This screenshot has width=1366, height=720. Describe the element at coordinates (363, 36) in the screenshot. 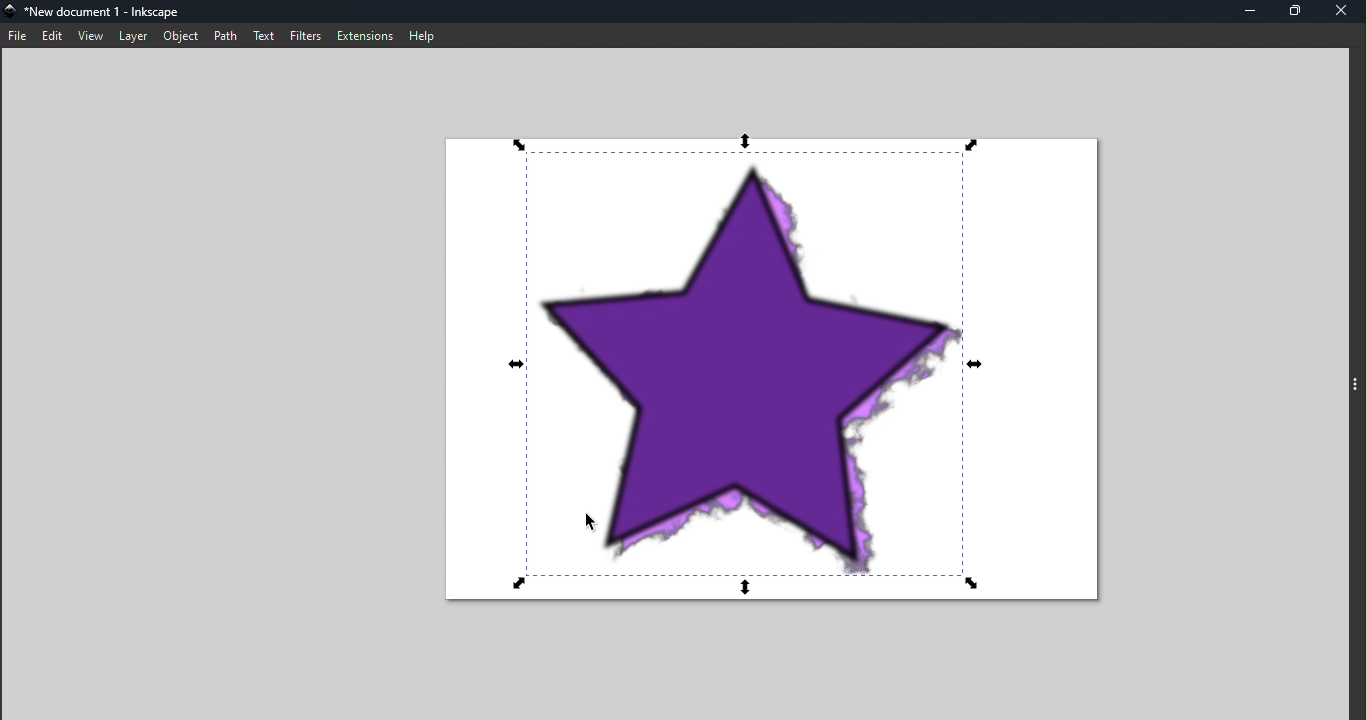

I see `Extensions` at that location.